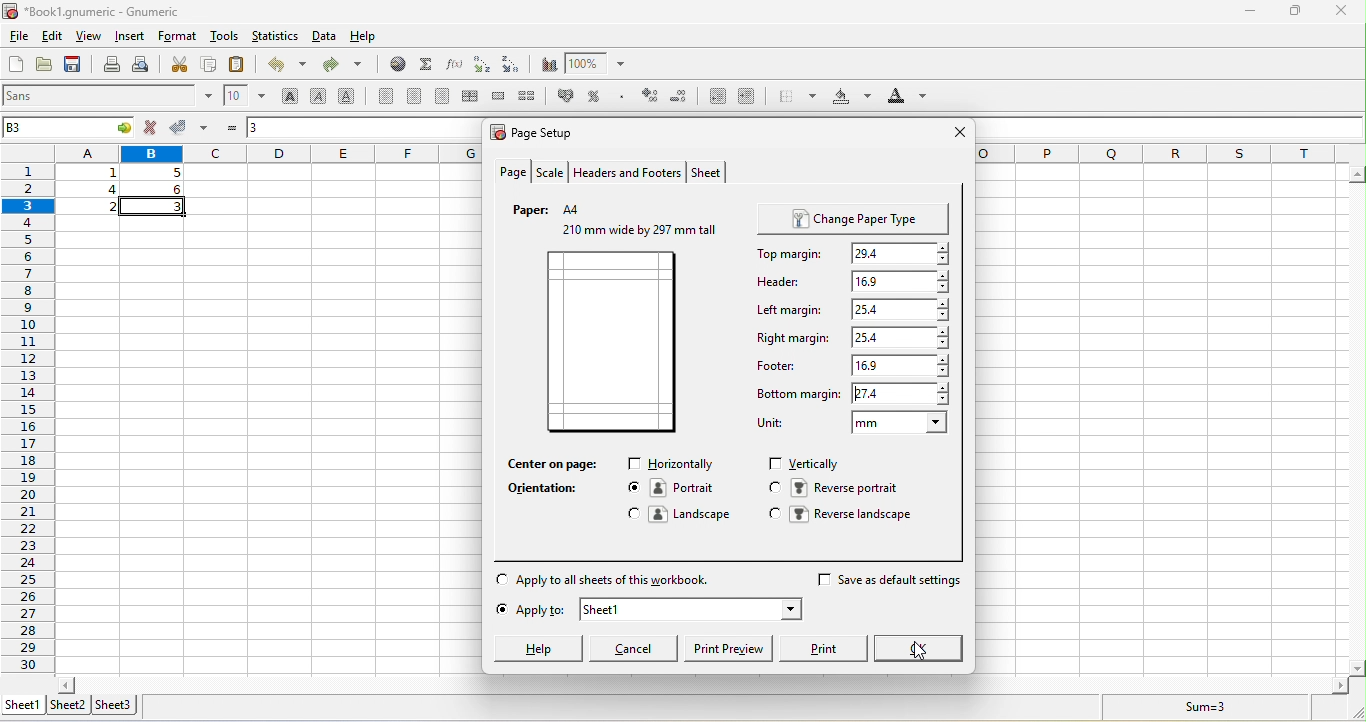 The height and width of the screenshot is (722, 1366). Describe the element at coordinates (223, 38) in the screenshot. I see `tools` at that location.